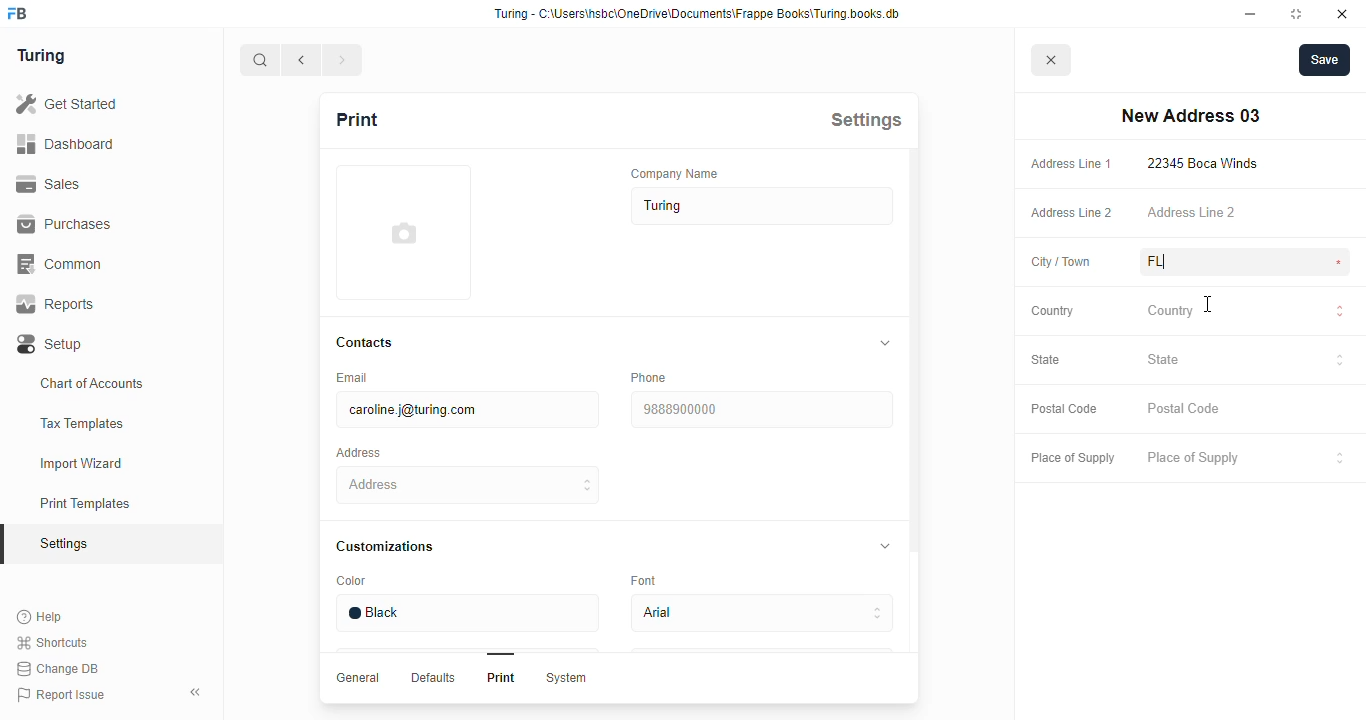 The width and height of the screenshot is (1366, 720). What do you see at coordinates (763, 206) in the screenshot?
I see `turing` at bounding box center [763, 206].